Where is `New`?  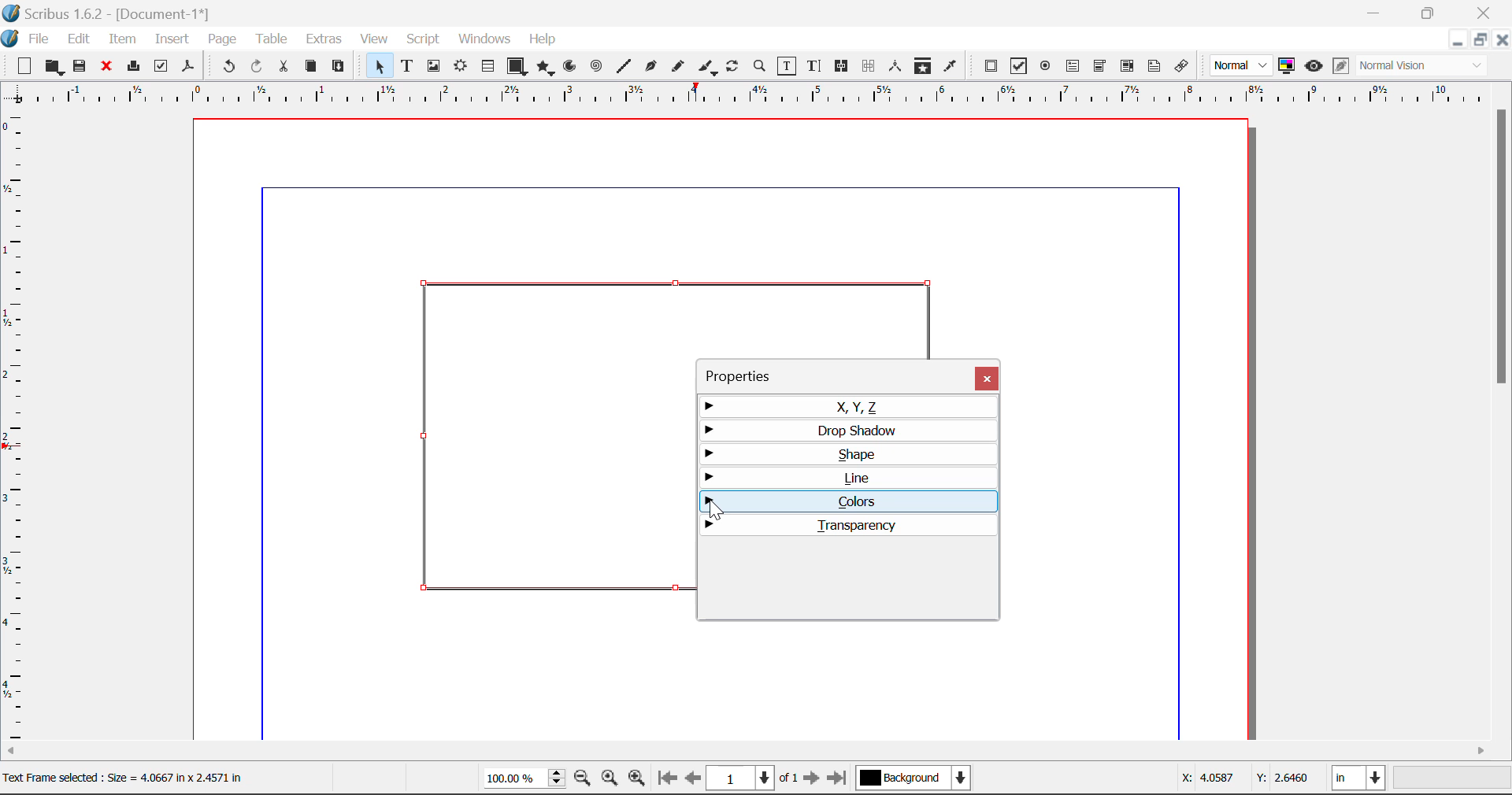 New is located at coordinates (23, 66).